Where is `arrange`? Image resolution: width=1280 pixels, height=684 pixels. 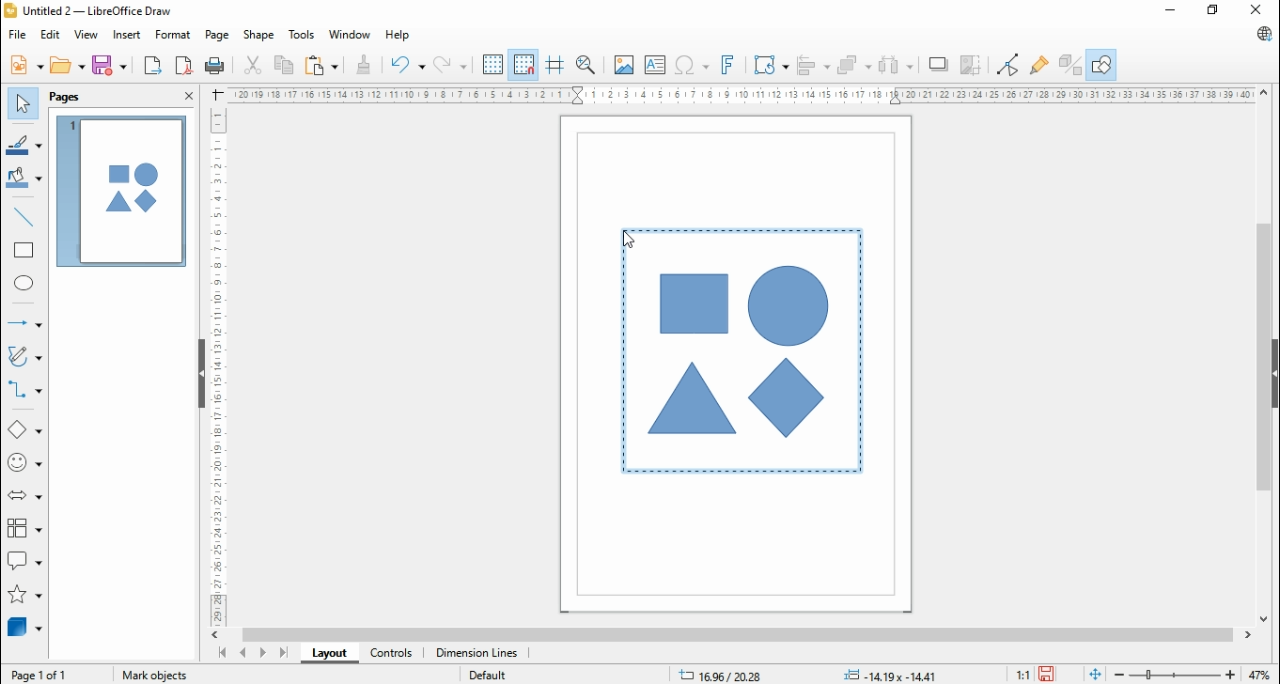 arrange is located at coordinates (854, 64).